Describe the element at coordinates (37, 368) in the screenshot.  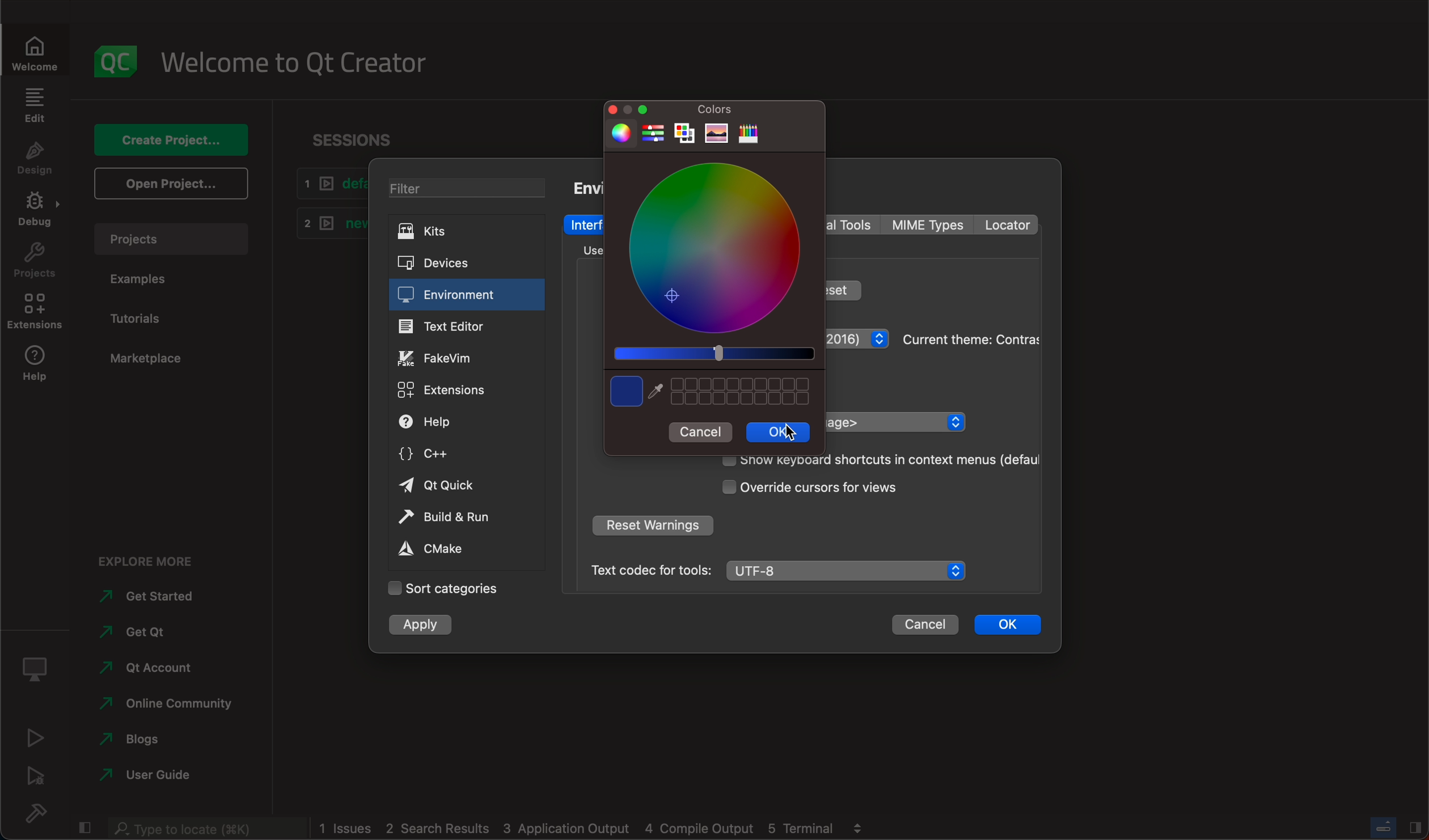
I see `help` at that location.